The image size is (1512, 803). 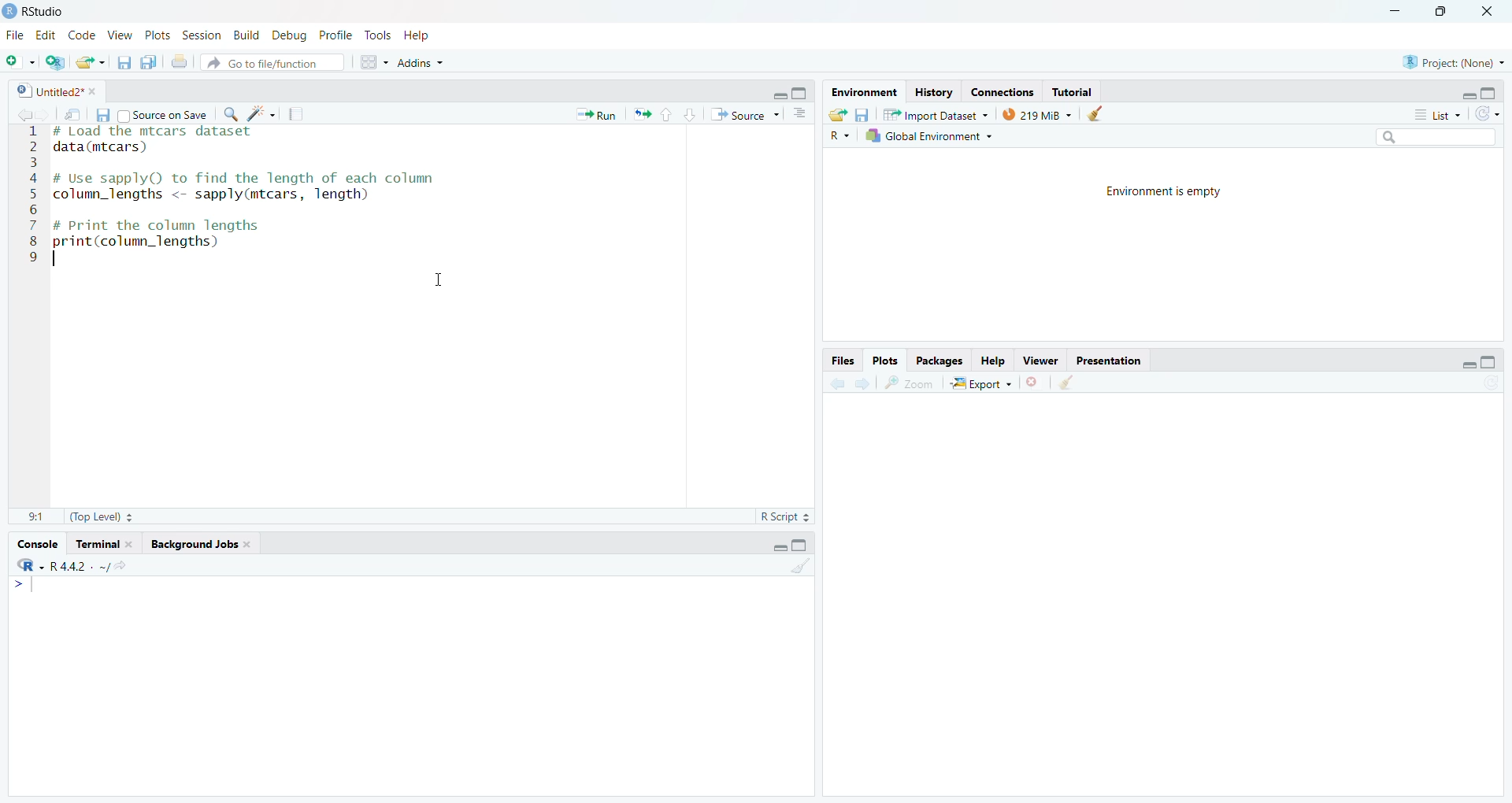 I want to click on Open in new window, so click(x=74, y=113).